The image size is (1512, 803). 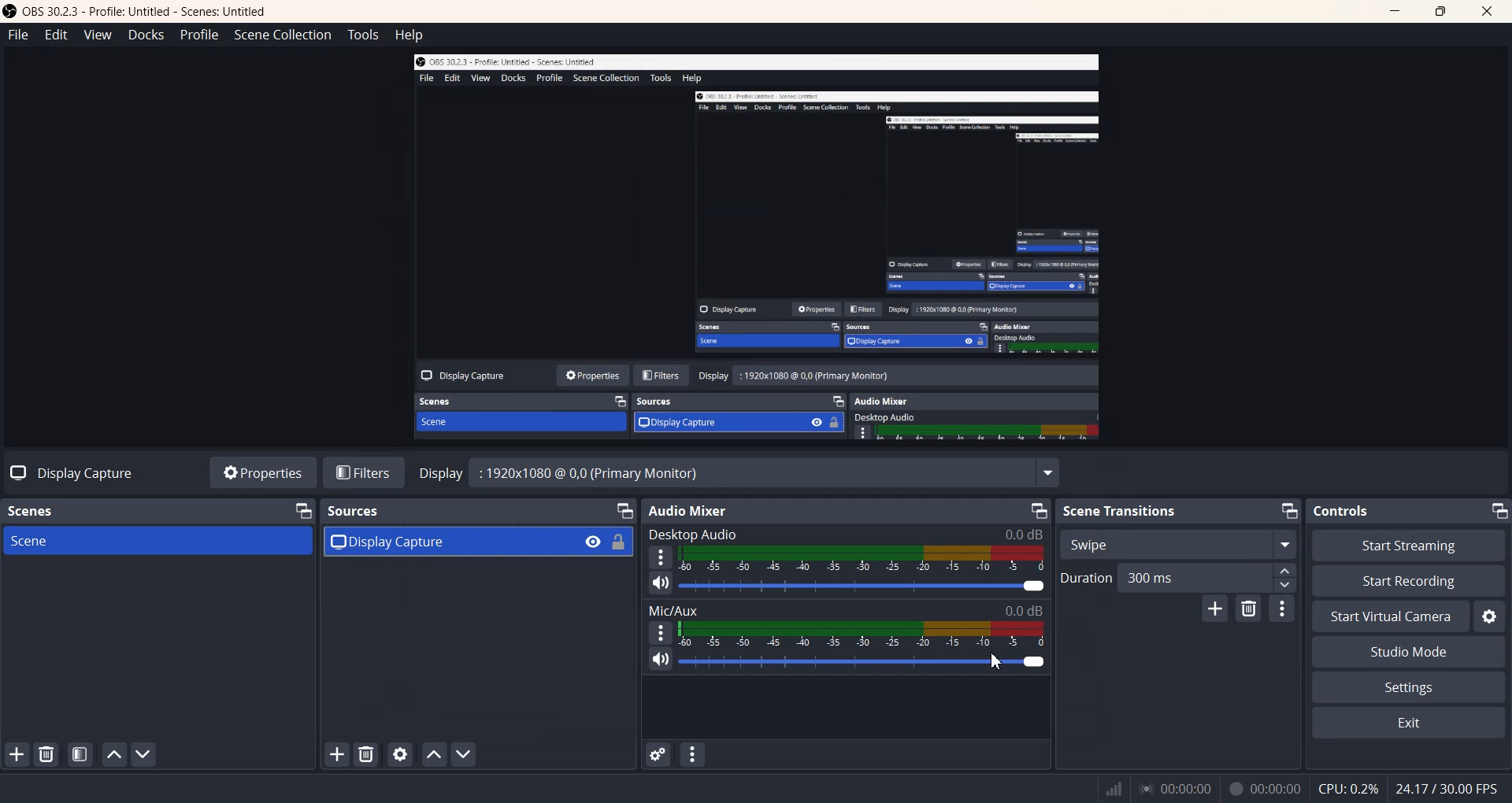 What do you see at coordinates (199, 35) in the screenshot?
I see `Profile` at bounding box center [199, 35].